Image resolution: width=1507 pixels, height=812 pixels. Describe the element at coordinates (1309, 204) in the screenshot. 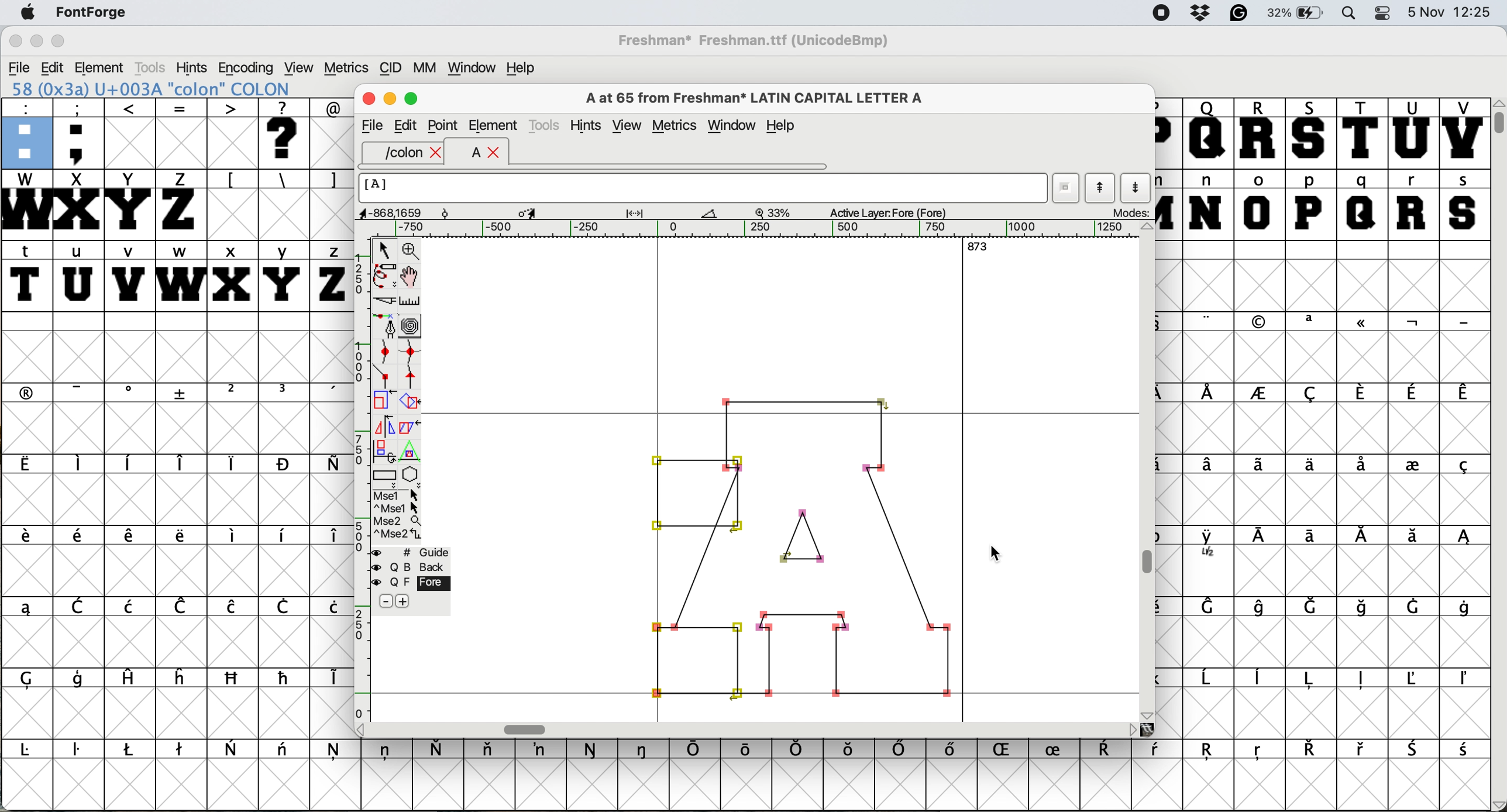

I see `p` at that location.